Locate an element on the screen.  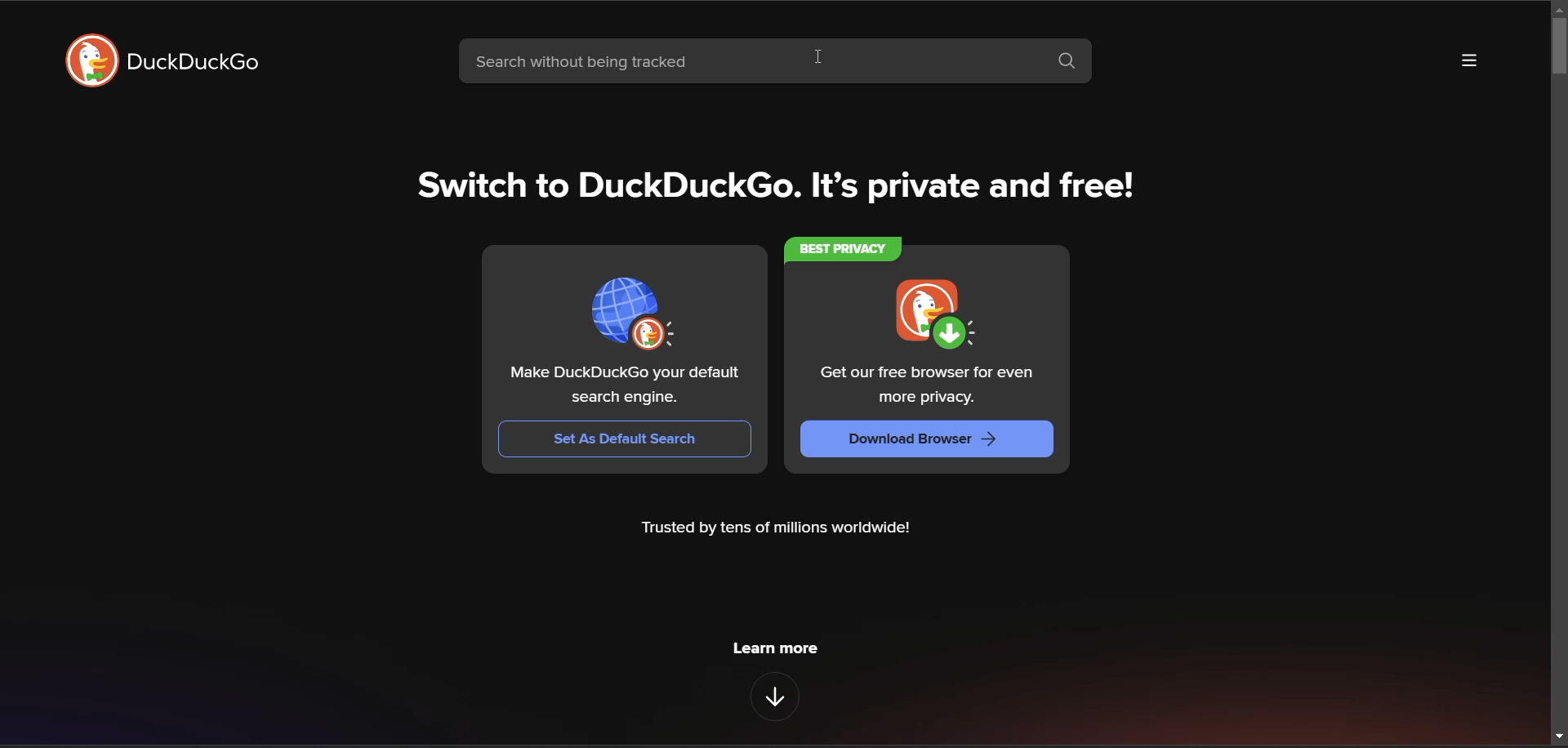
Switch to DuckDuckGo. It’s private and free! is located at coordinates (777, 187).